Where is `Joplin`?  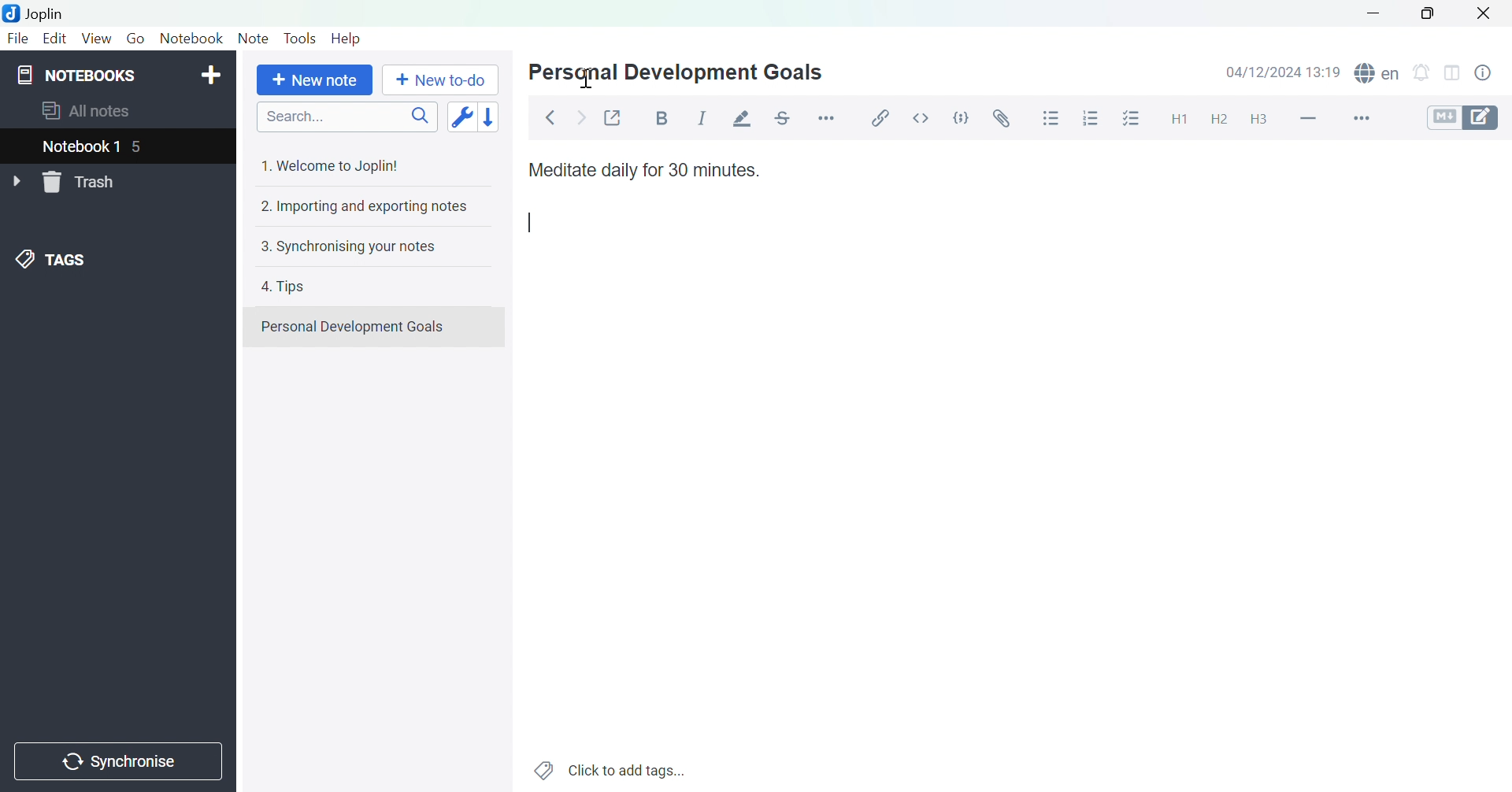
Joplin is located at coordinates (37, 13).